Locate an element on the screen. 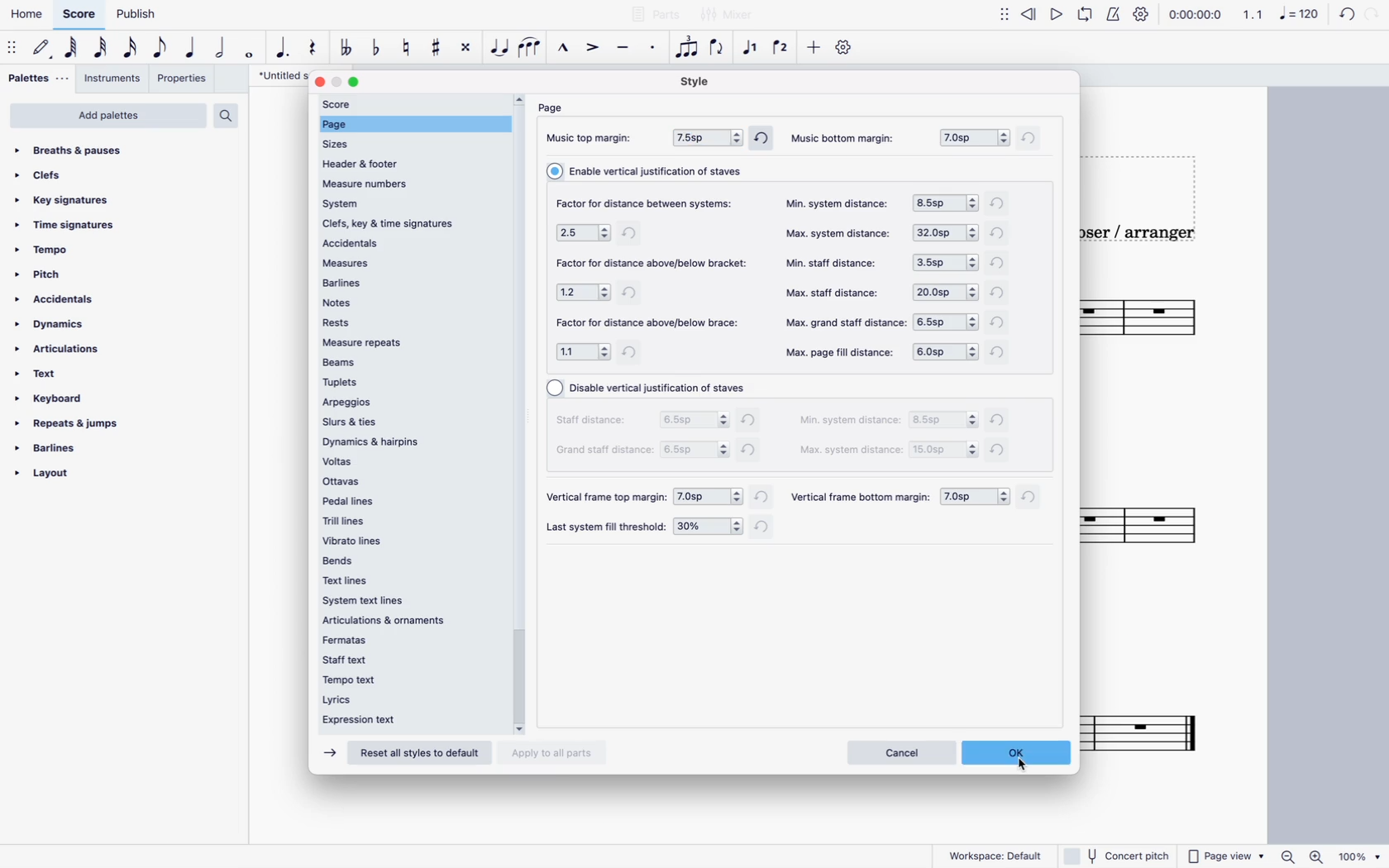 This screenshot has height=868, width=1389. refresh is located at coordinates (1000, 296).